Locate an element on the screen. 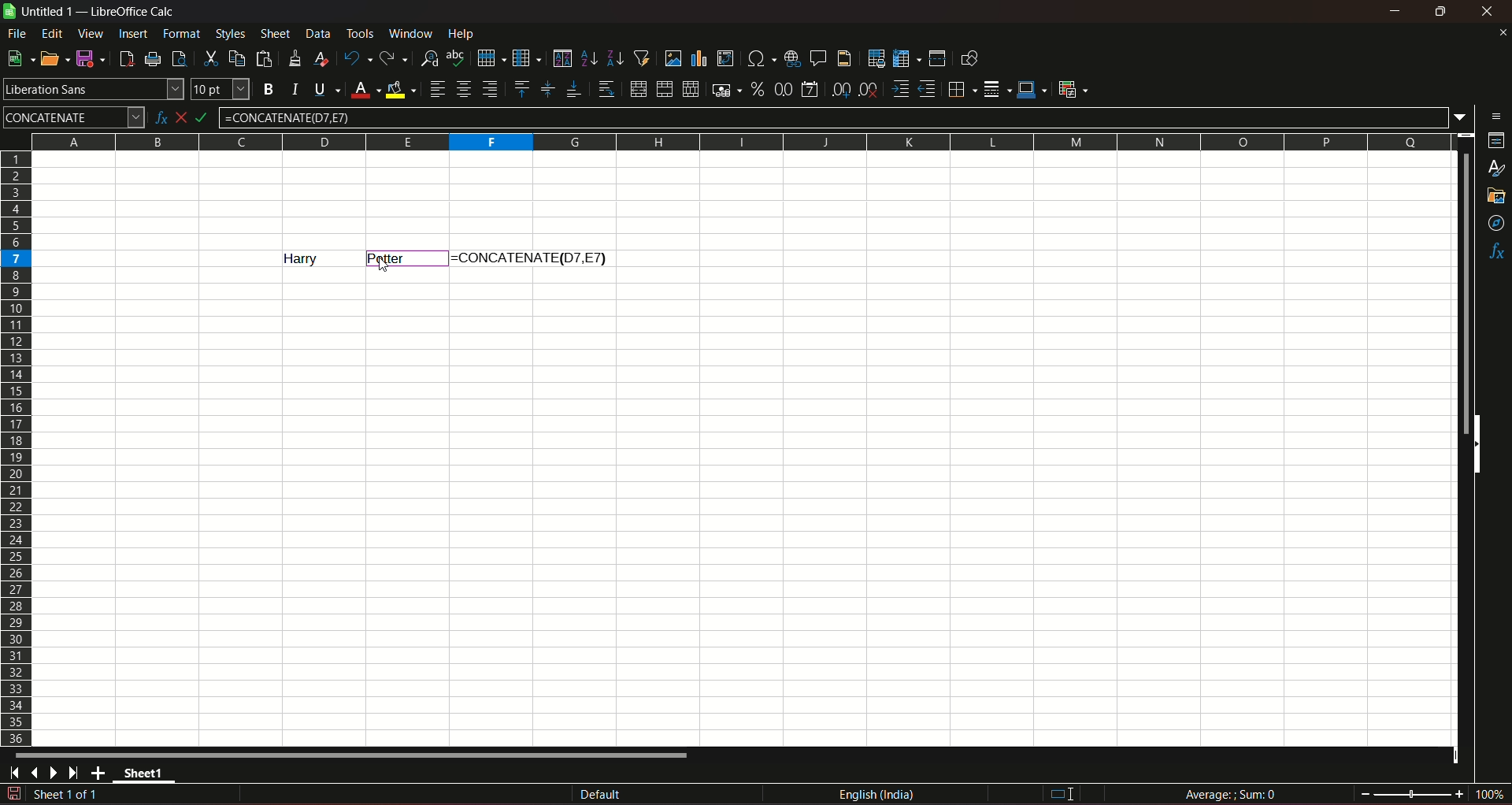 This screenshot has height=805, width=1512. insert chart is located at coordinates (699, 59).